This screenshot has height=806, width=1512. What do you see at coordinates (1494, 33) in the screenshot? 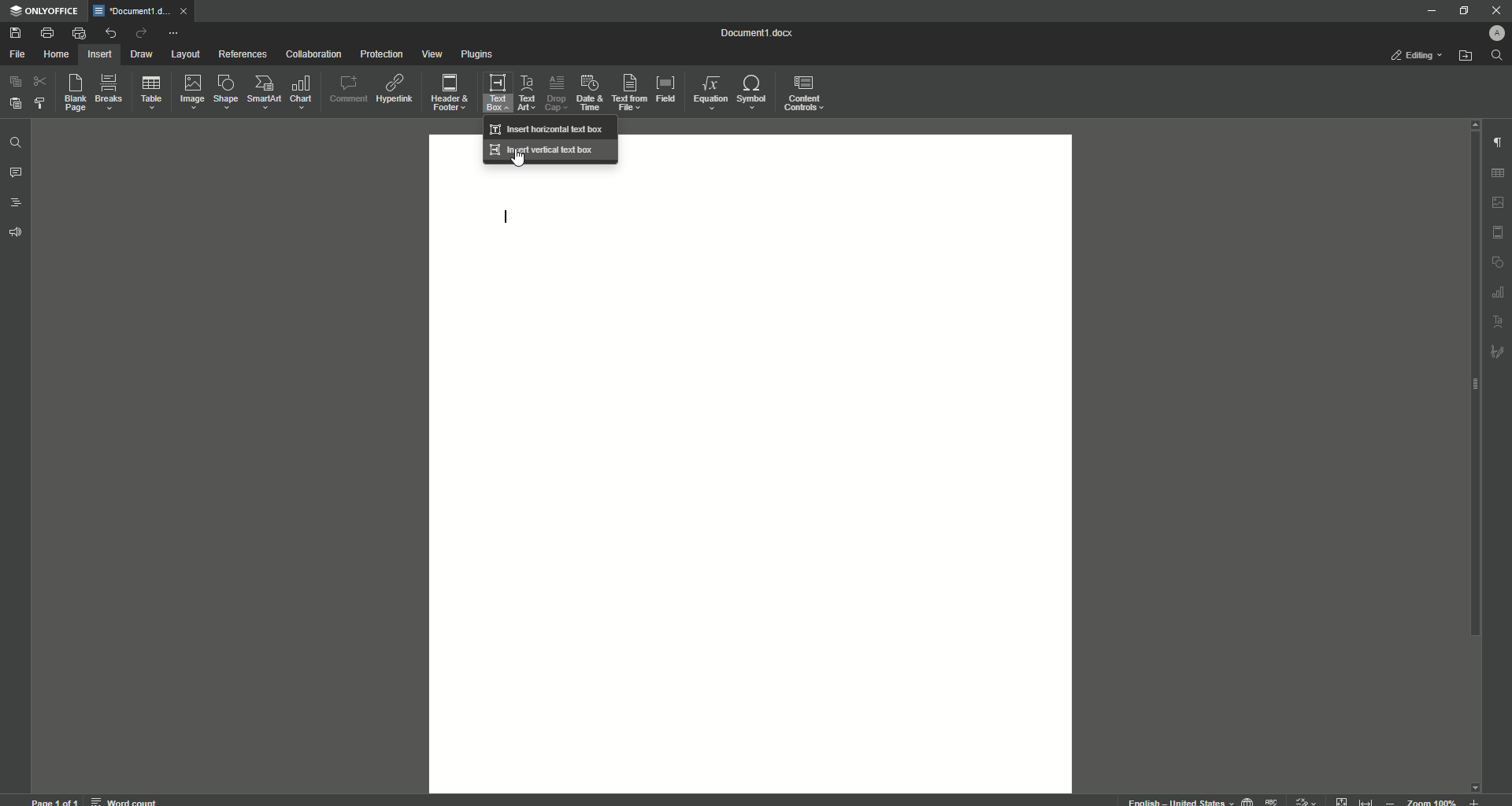
I see `Profile` at bounding box center [1494, 33].